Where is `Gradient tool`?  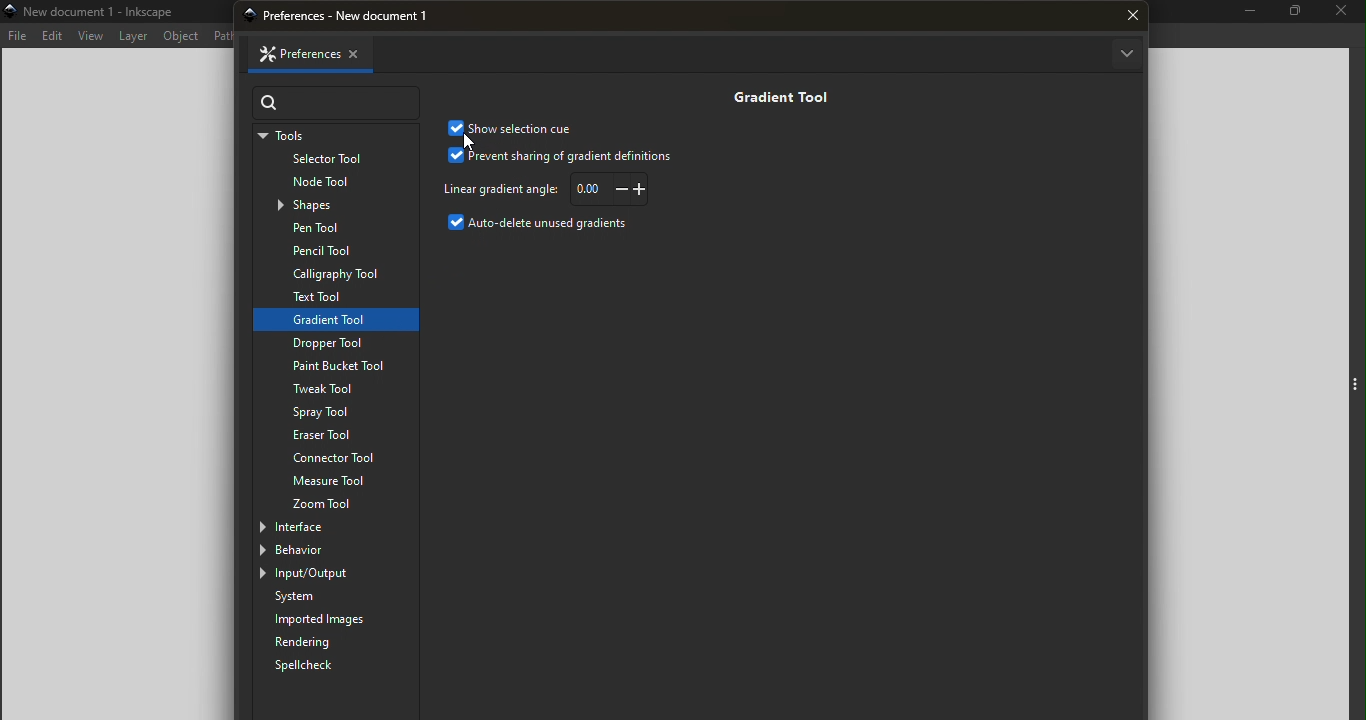 Gradient tool is located at coordinates (775, 95).